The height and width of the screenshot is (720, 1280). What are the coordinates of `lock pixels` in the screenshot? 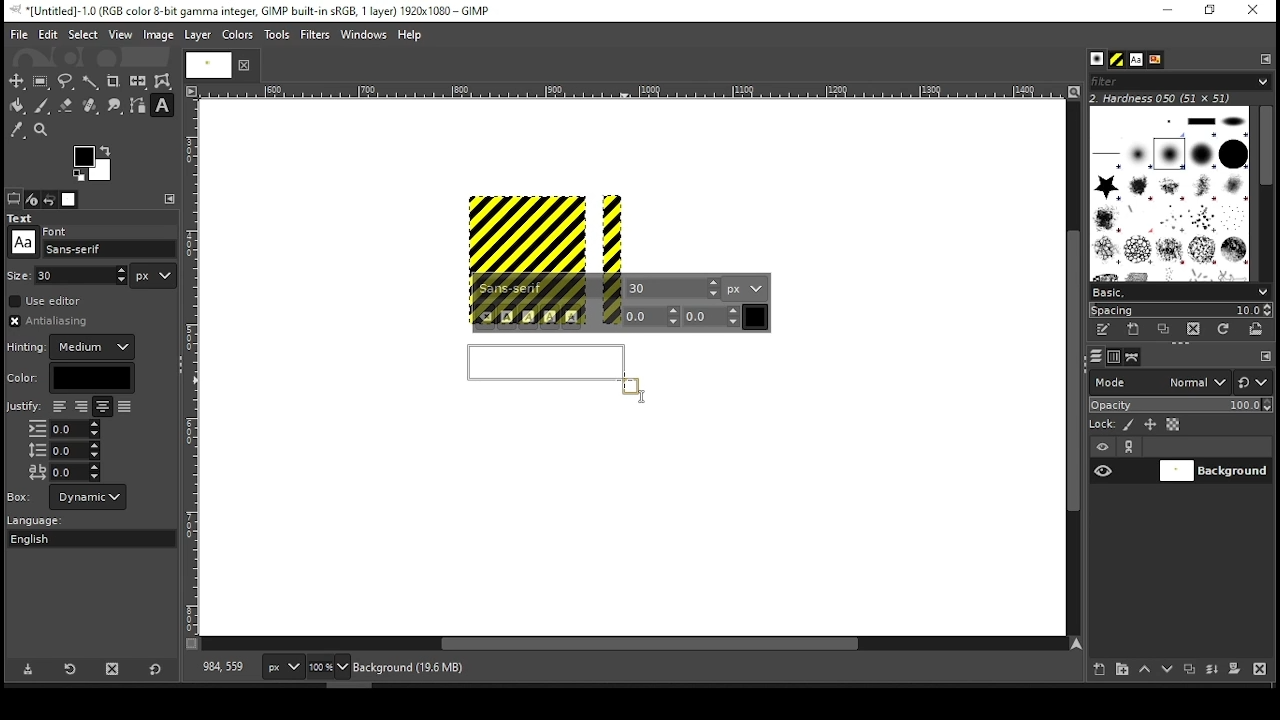 It's located at (1132, 425).